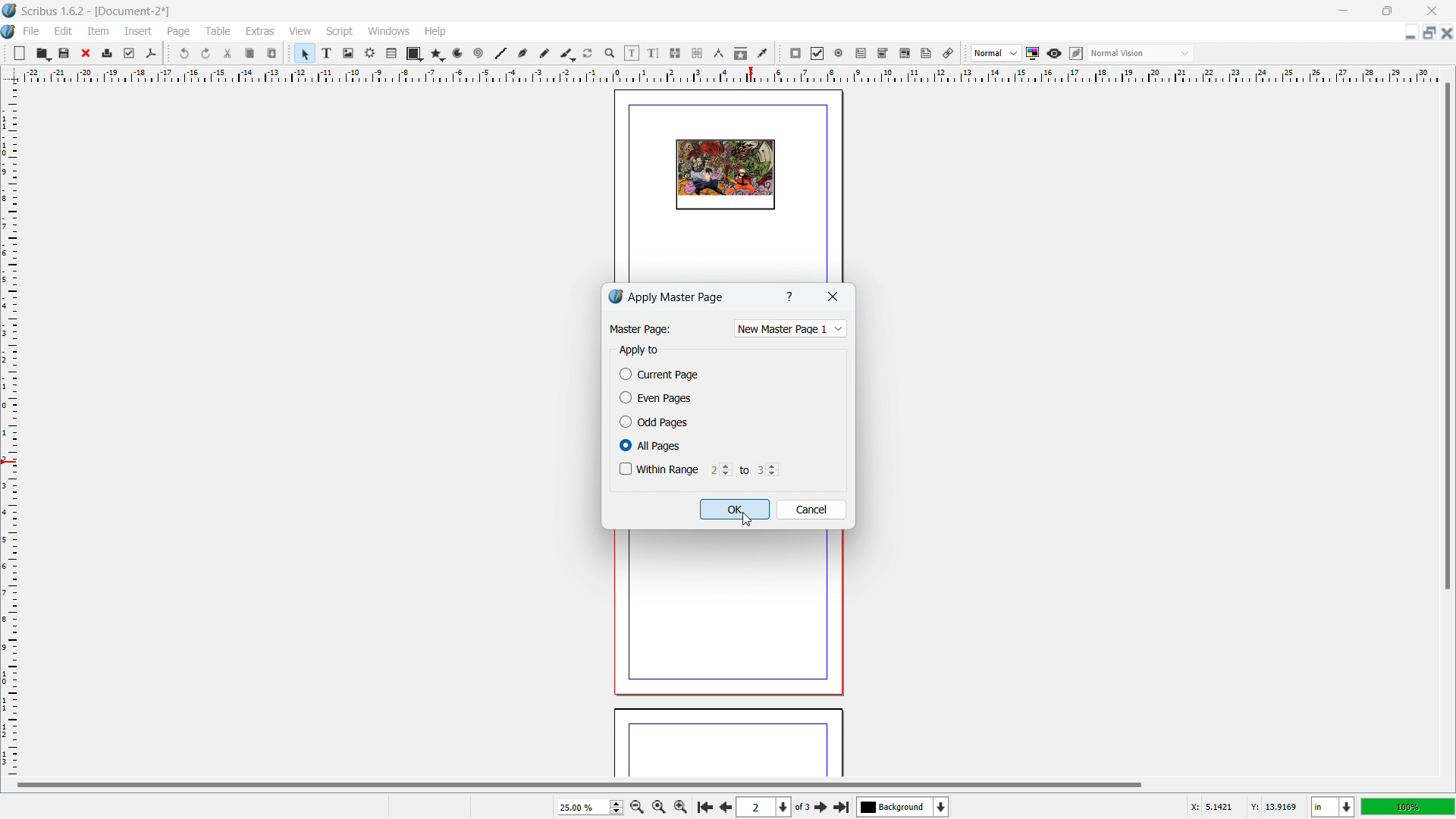 This screenshot has width=1456, height=819. I want to click on measurement, so click(718, 54).